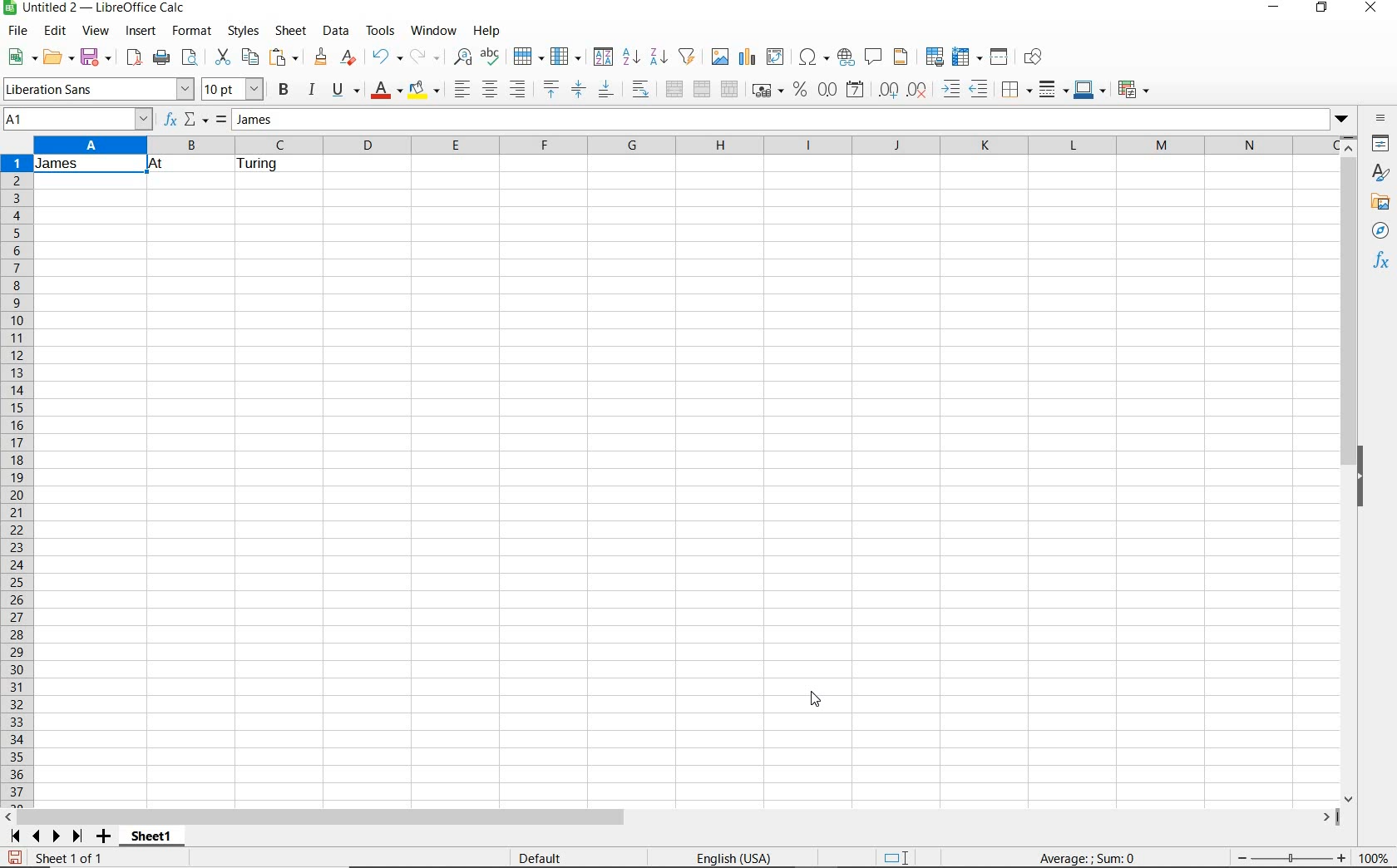 The image size is (1397, 868). Describe the element at coordinates (1111, 859) in the screenshot. I see `formula` at that location.